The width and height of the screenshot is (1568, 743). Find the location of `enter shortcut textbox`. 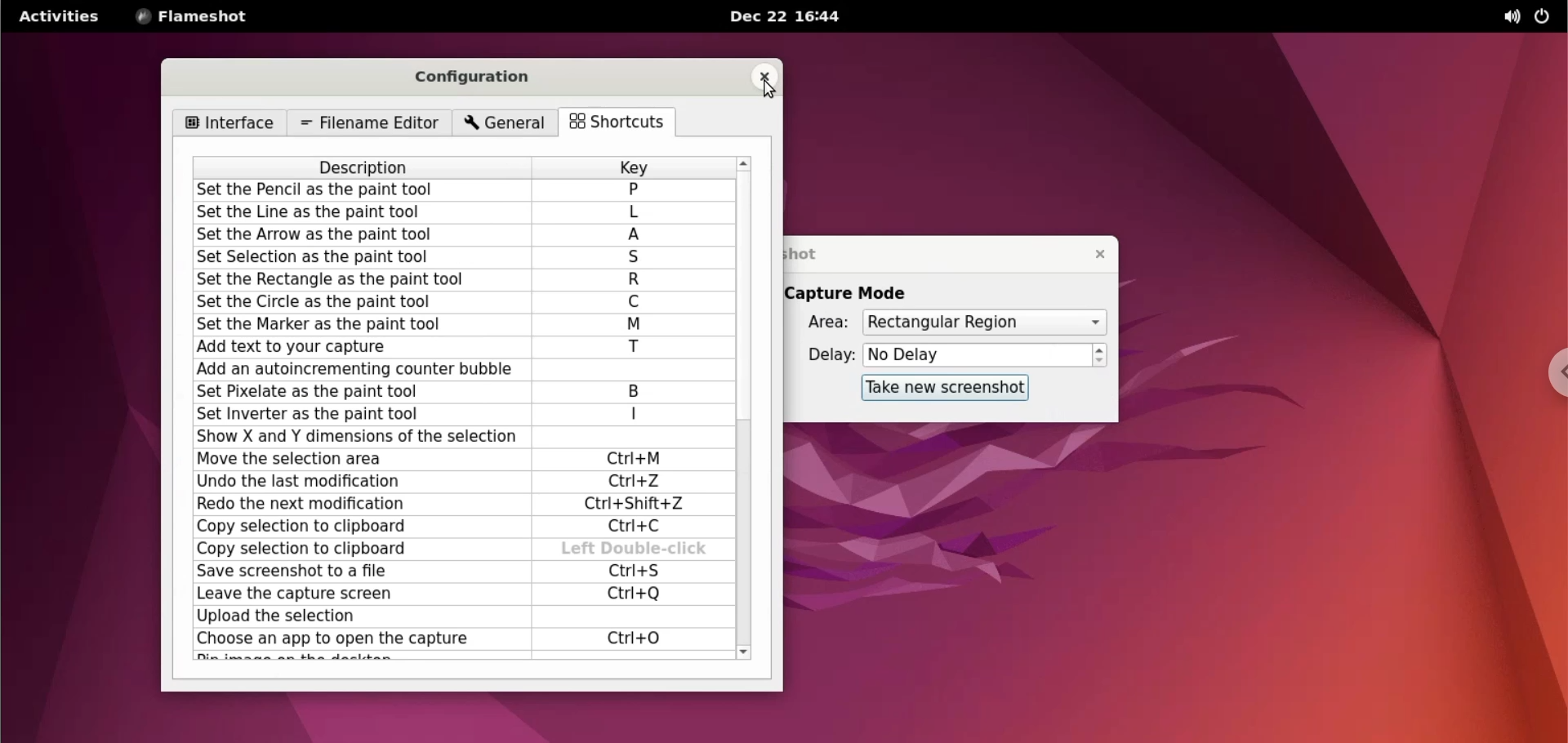

enter shortcut textbox is located at coordinates (630, 370).